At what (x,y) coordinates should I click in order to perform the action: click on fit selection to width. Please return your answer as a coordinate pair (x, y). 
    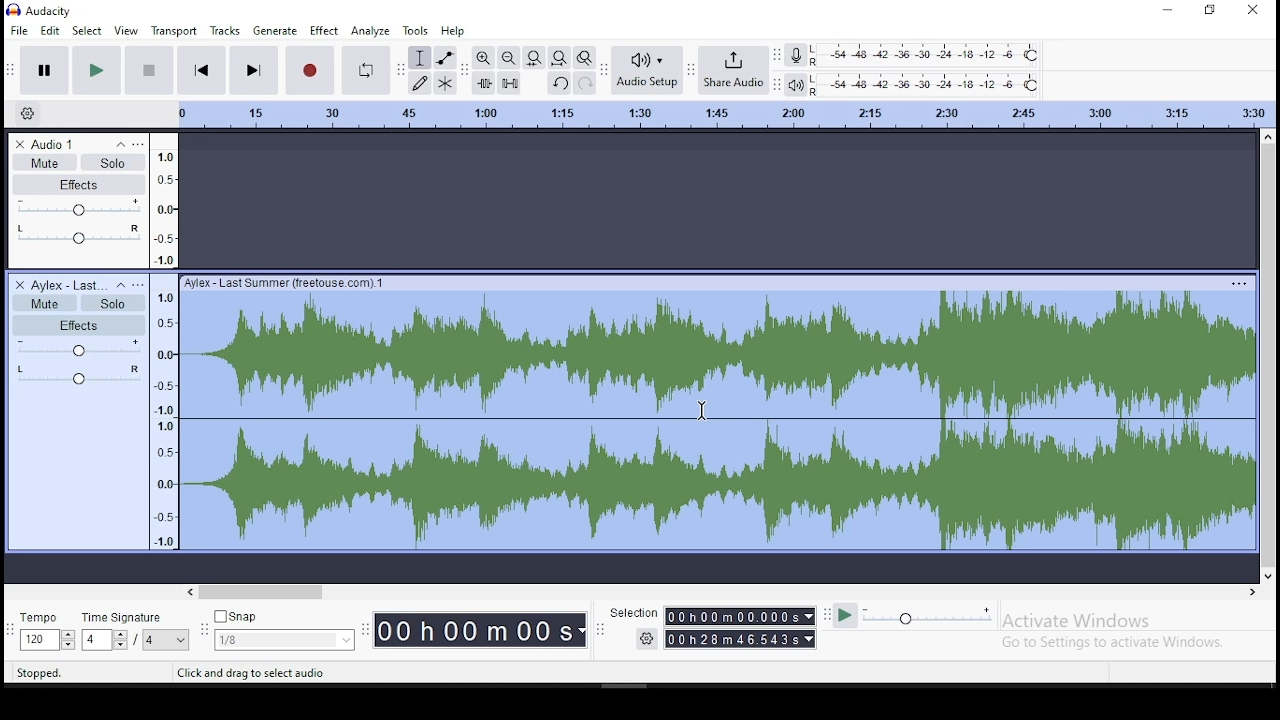
    Looking at the image, I should click on (534, 58).